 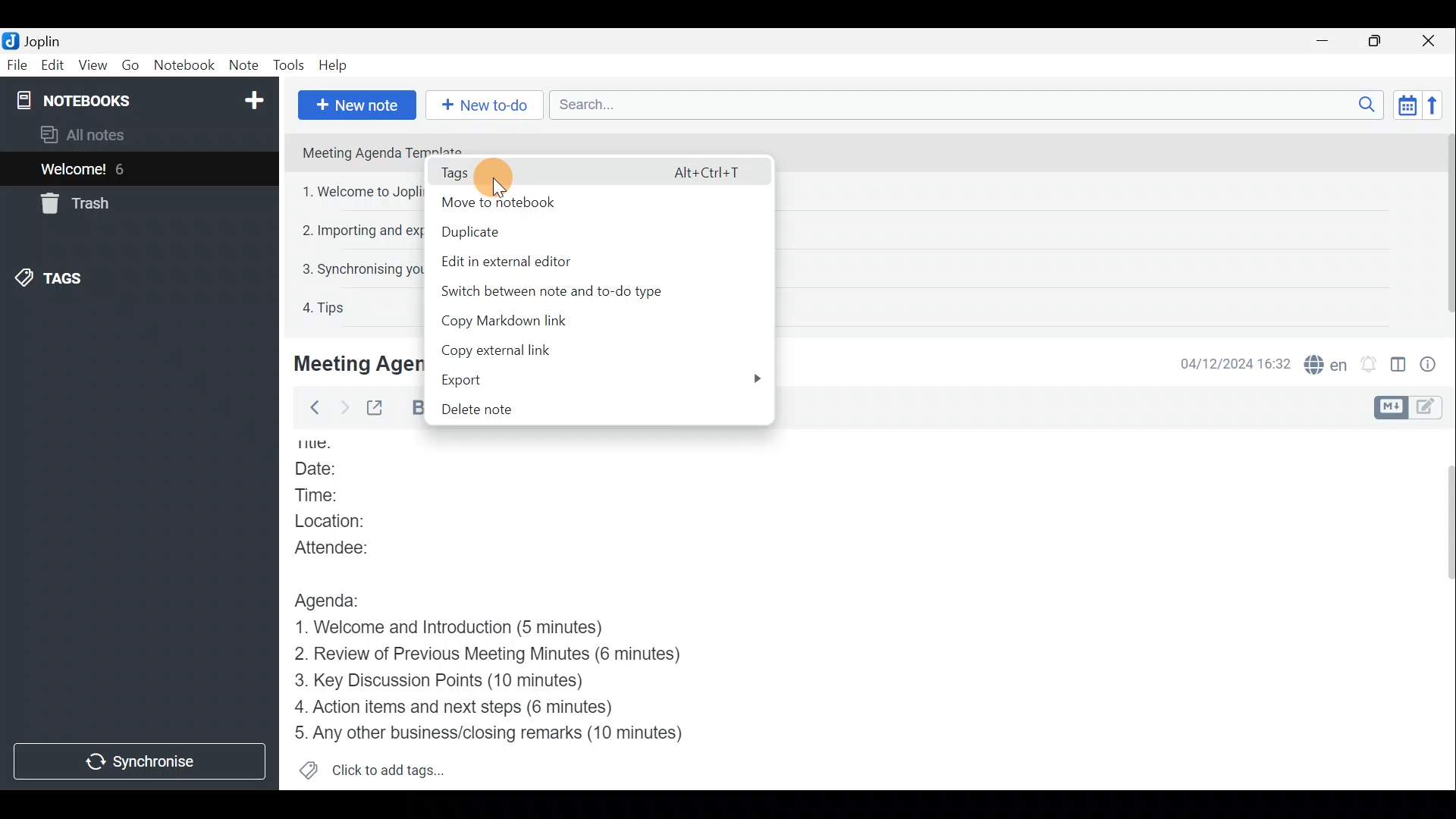 What do you see at coordinates (495, 409) in the screenshot?
I see `Delete note` at bounding box center [495, 409].